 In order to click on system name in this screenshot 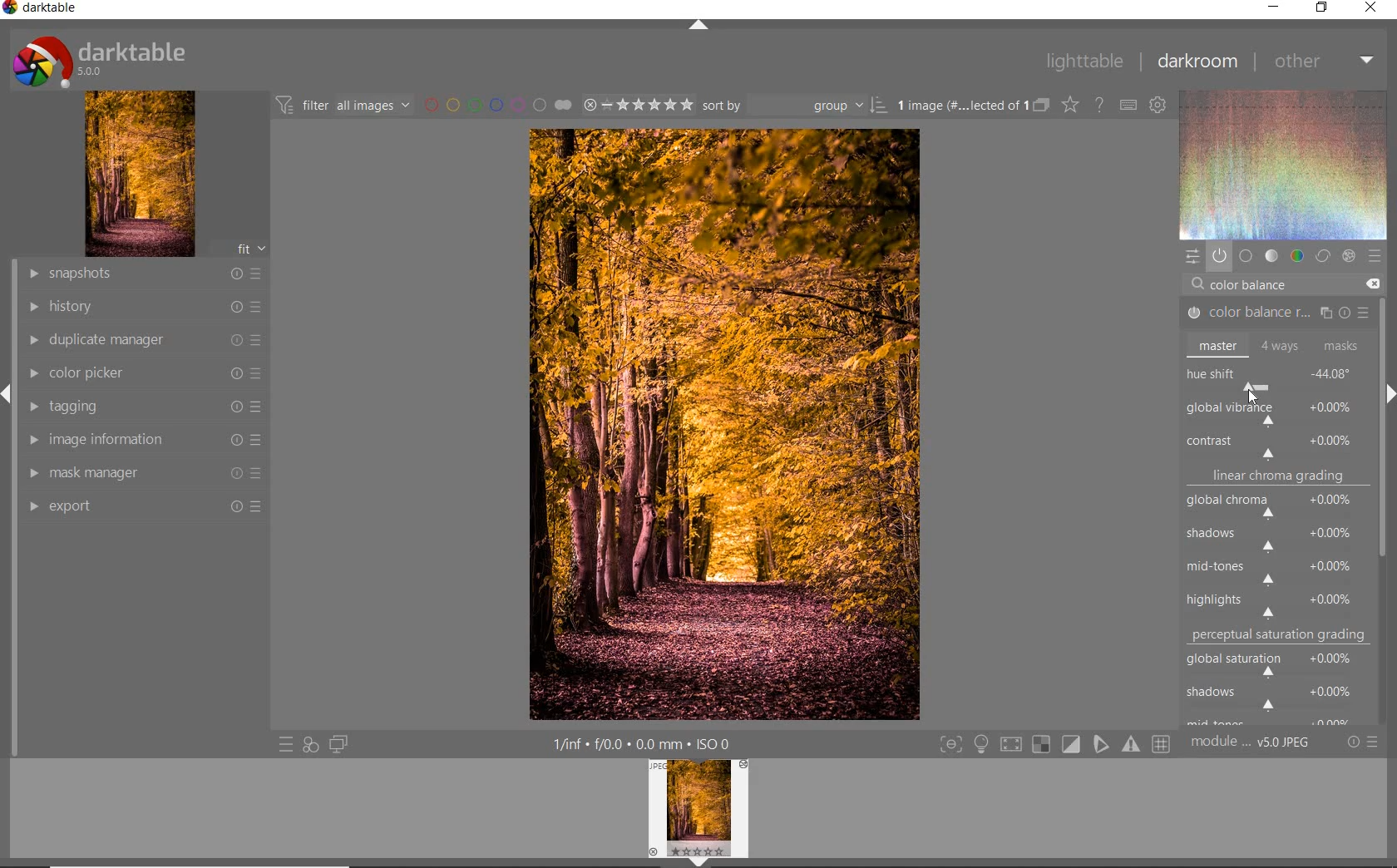, I will do `click(40, 8)`.